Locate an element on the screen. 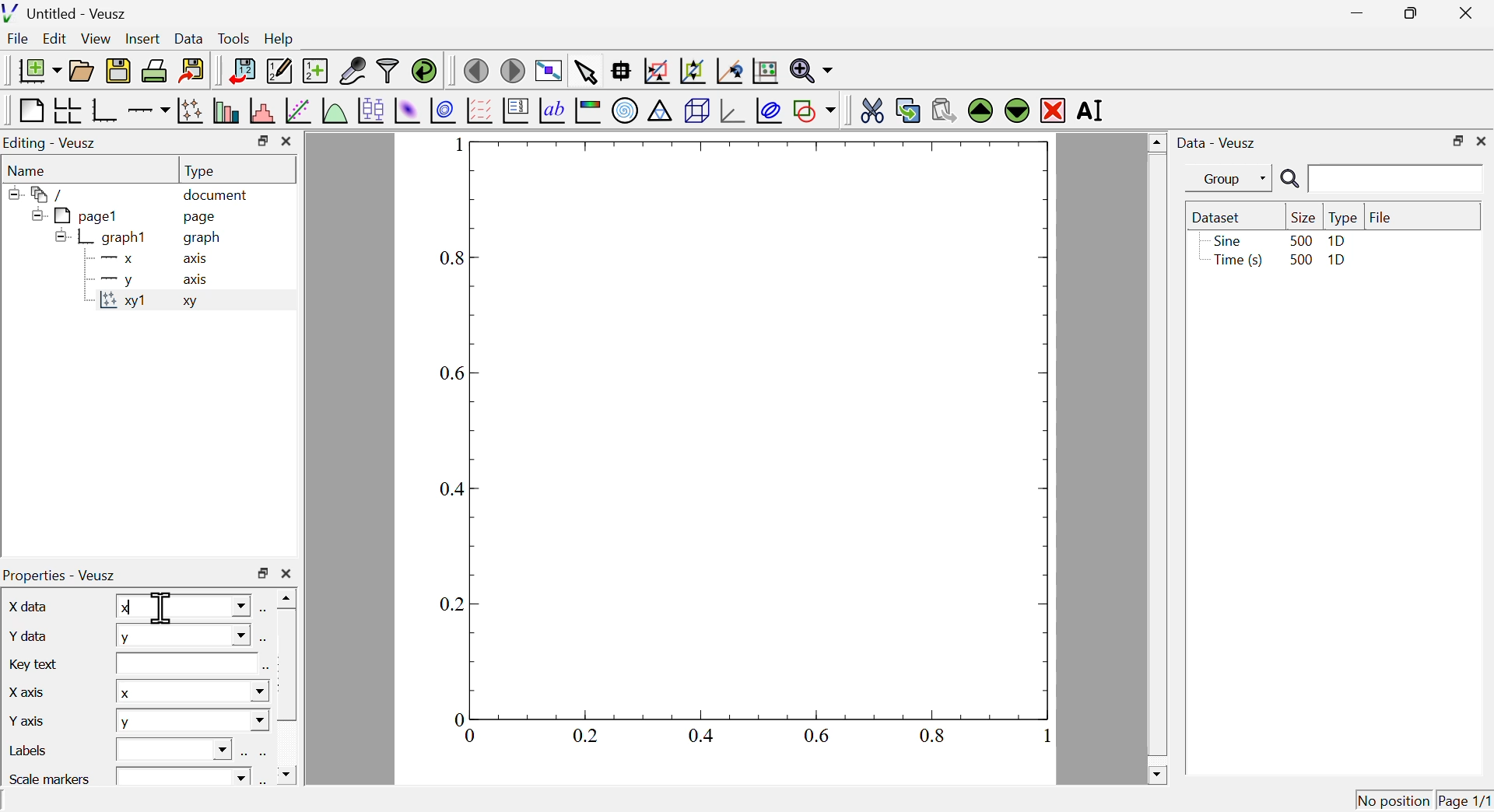 This screenshot has height=812, width=1494. open a document is located at coordinates (83, 69).